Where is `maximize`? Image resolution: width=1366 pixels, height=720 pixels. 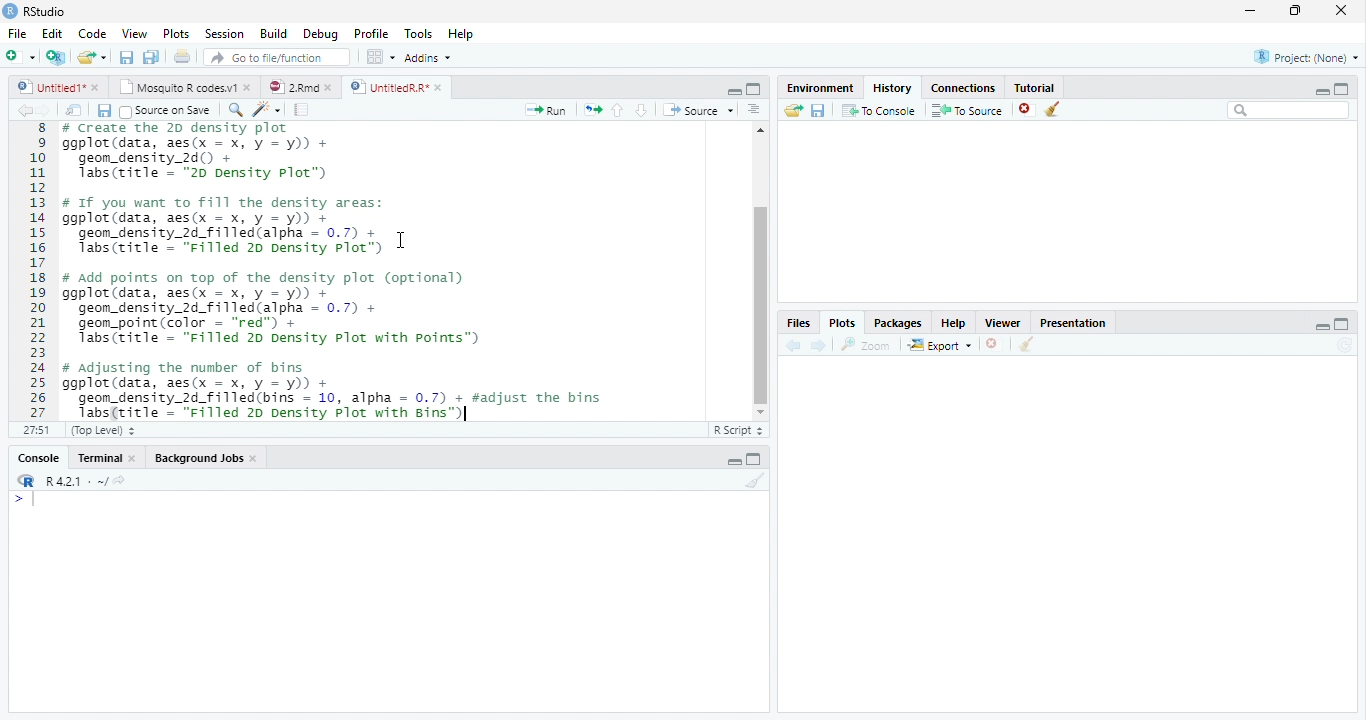
maximize is located at coordinates (1344, 323).